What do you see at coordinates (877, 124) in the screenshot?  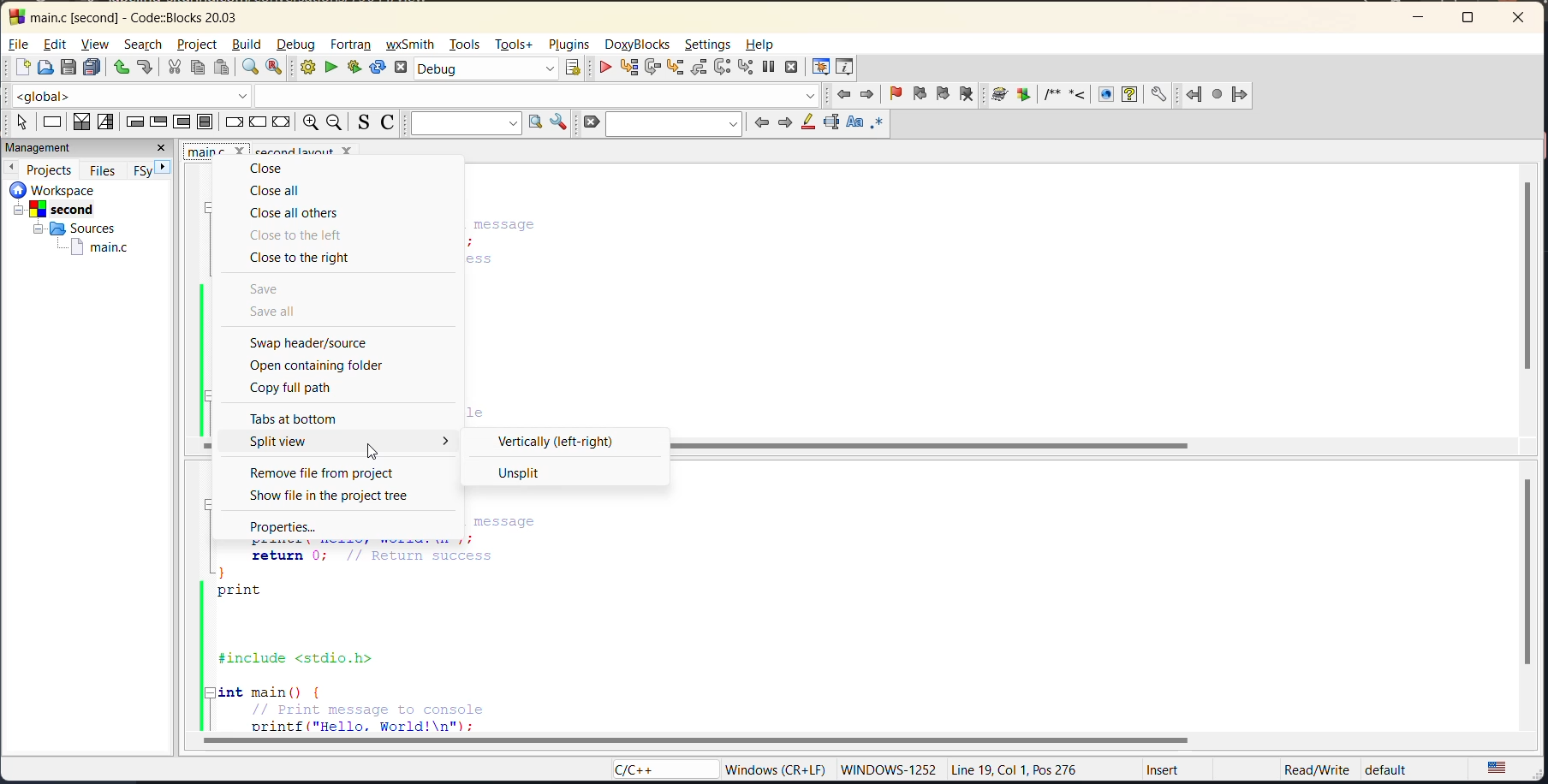 I see `use regex` at bounding box center [877, 124].